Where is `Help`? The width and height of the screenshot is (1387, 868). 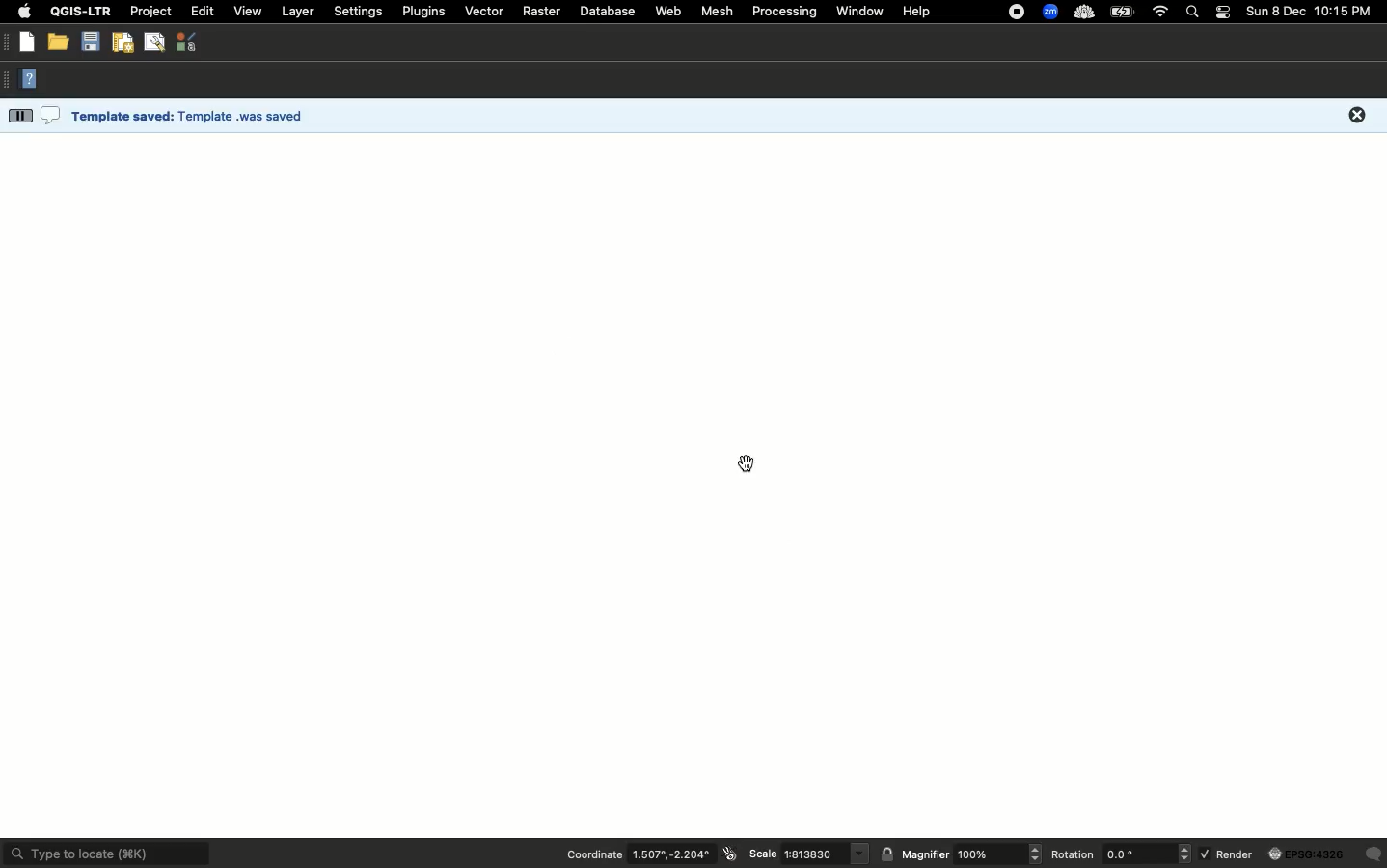 Help is located at coordinates (920, 10).